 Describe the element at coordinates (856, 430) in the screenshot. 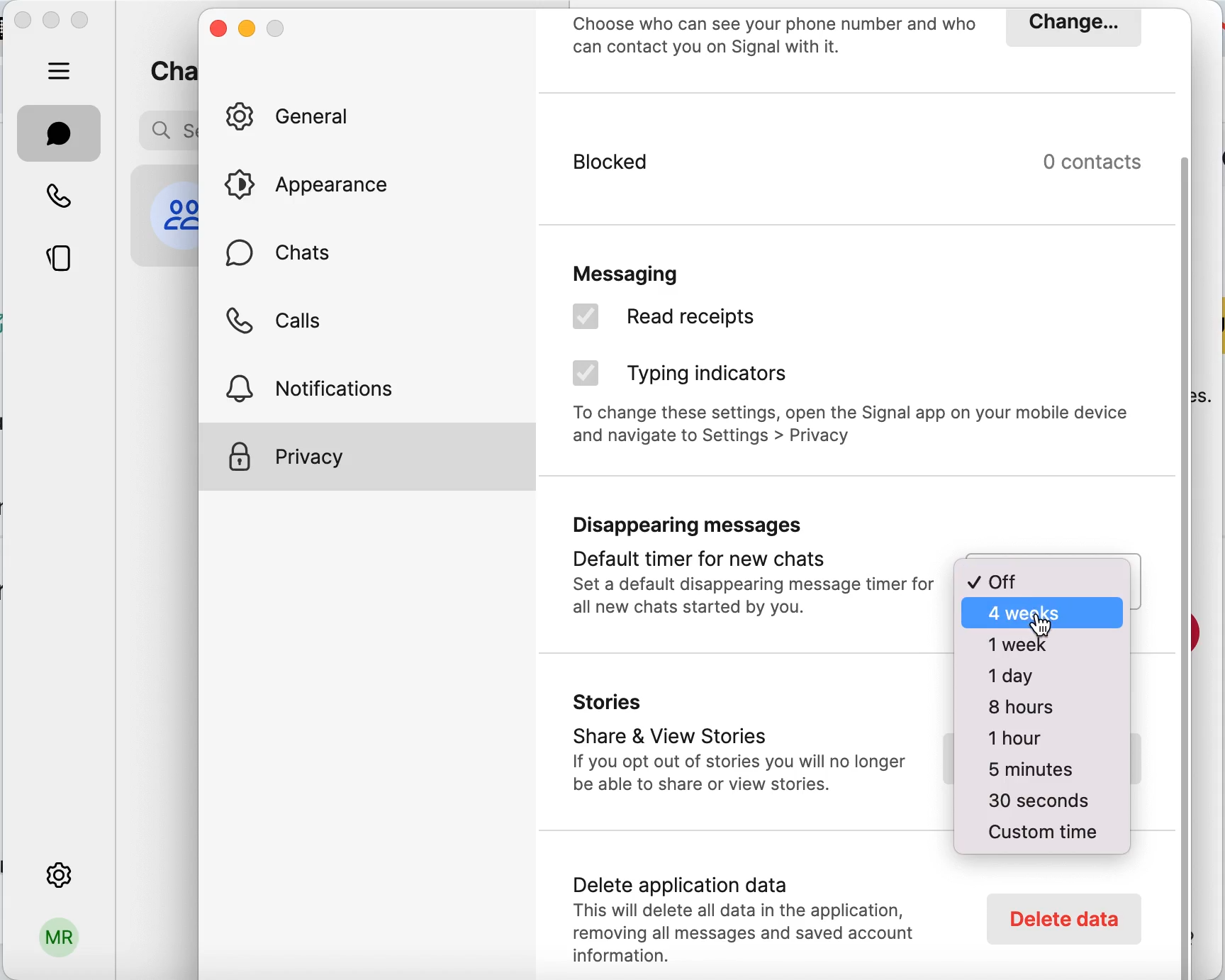

I see `how to change this settings` at that location.